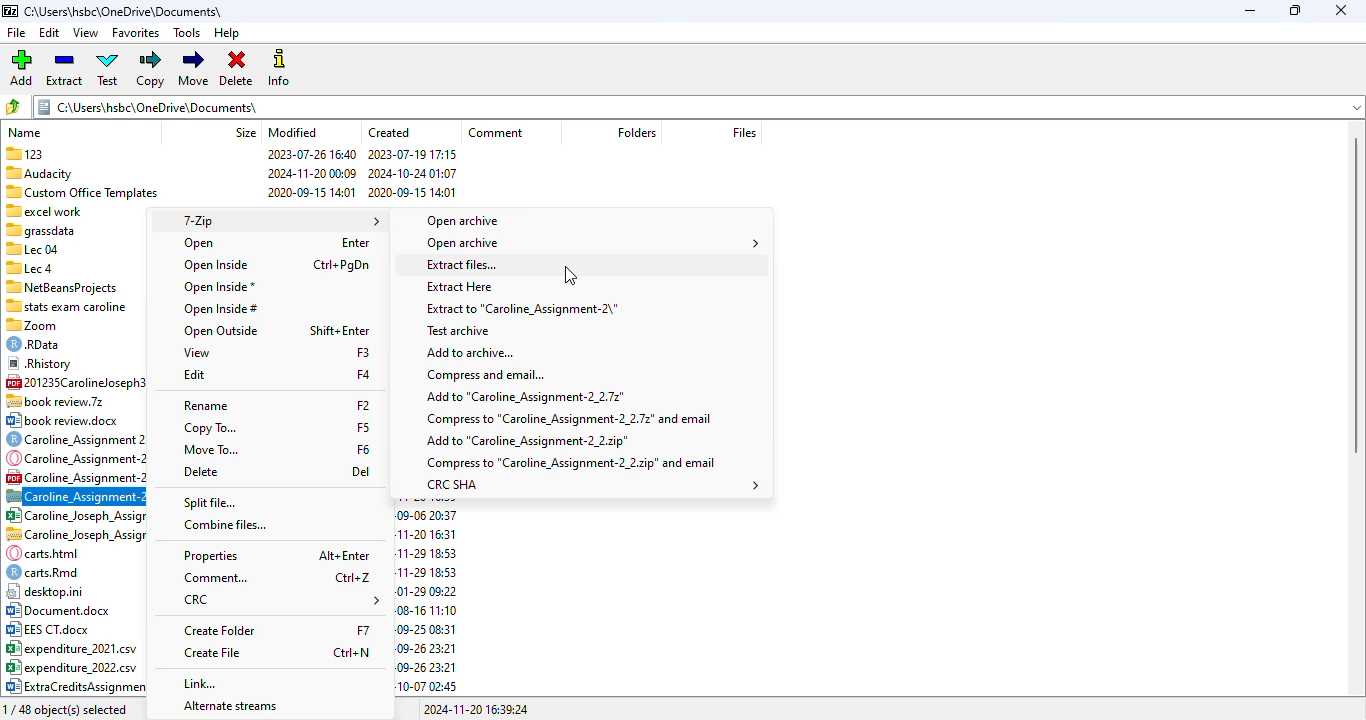 This screenshot has width=1366, height=720. I want to click on open inside*, so click(219, 287).